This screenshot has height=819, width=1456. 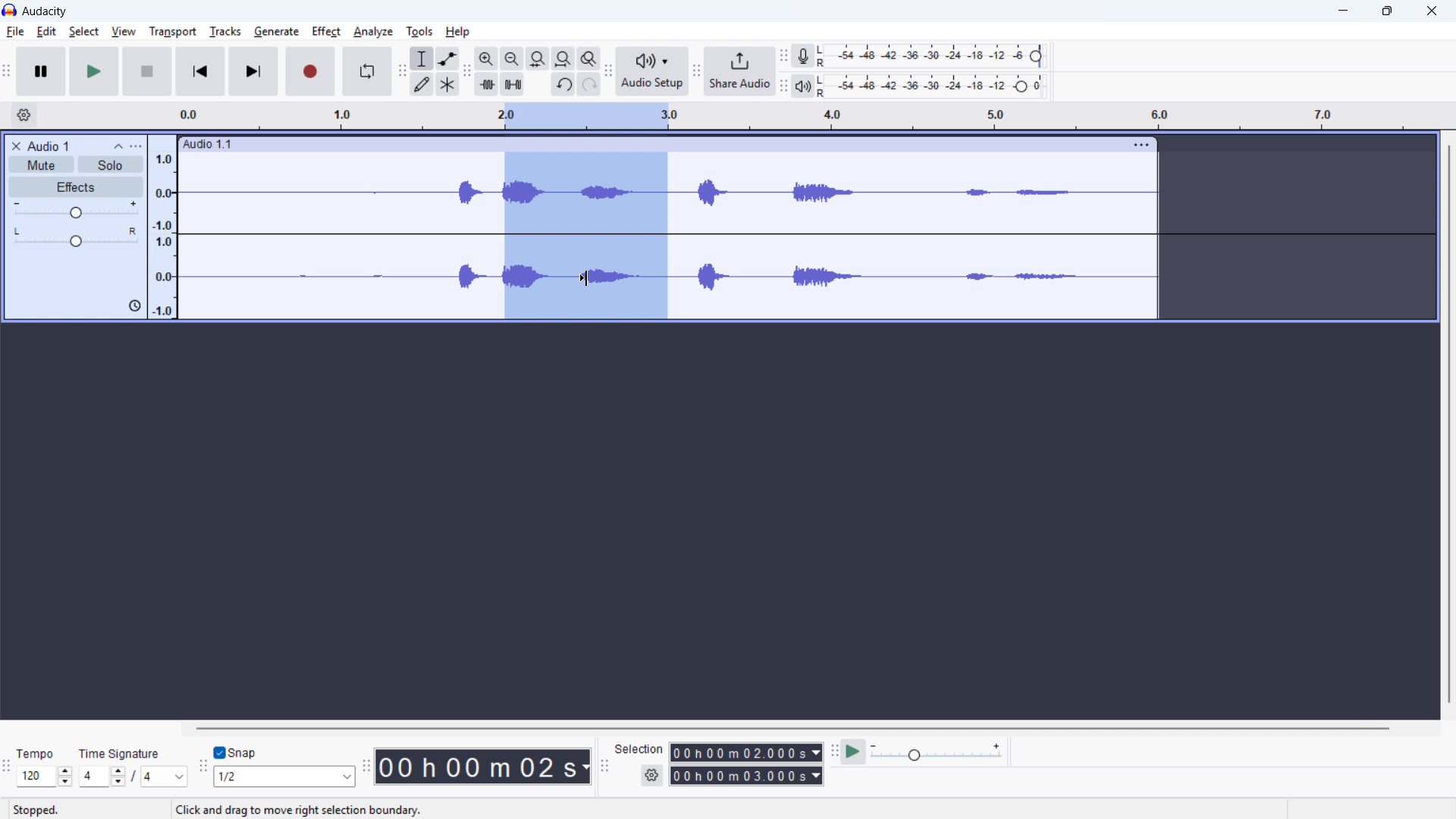 I want to click on Transport toolbar, so click(x=8, y=72).